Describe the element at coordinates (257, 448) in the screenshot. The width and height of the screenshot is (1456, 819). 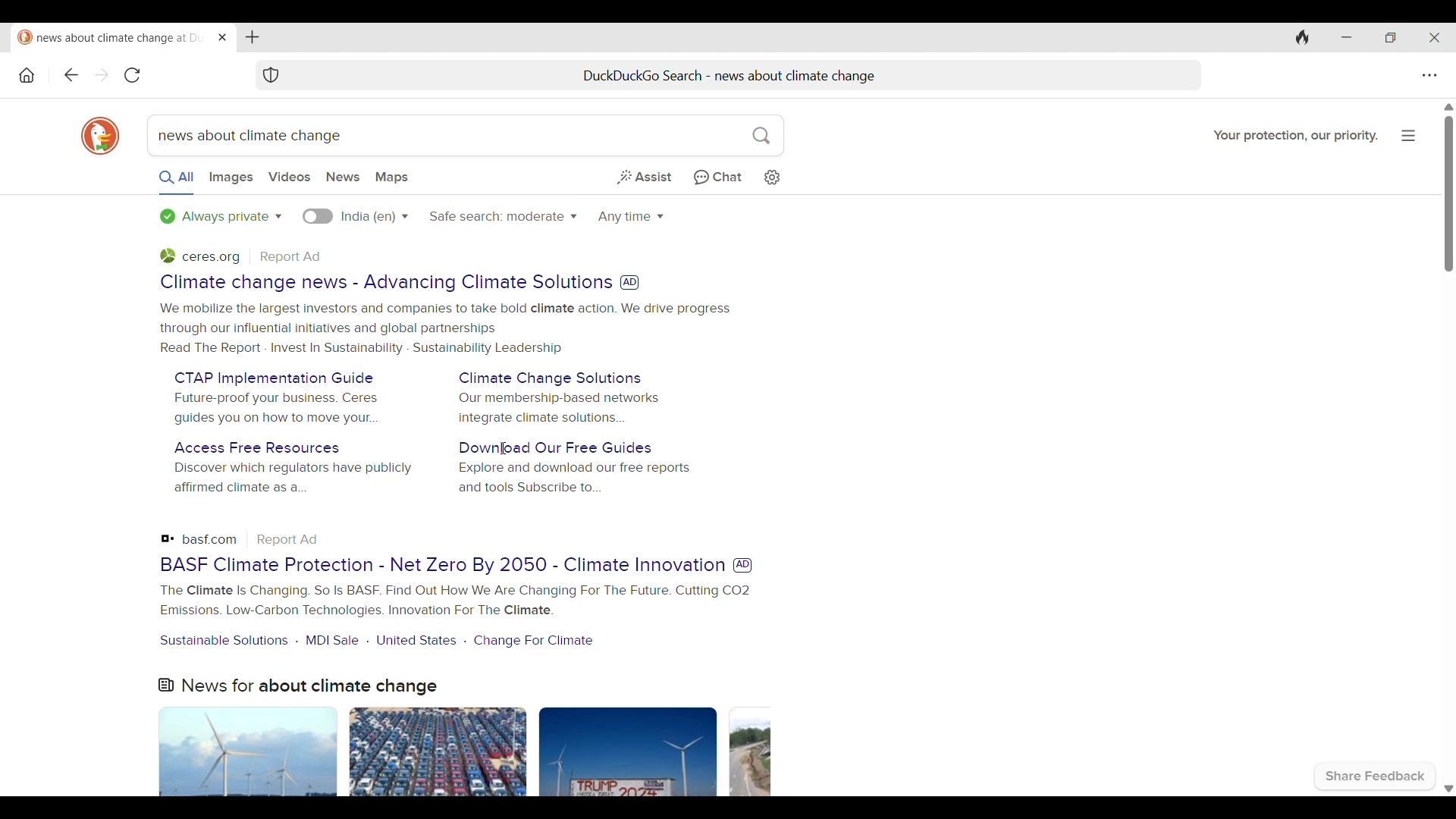
I see `Access free resources` at that location.